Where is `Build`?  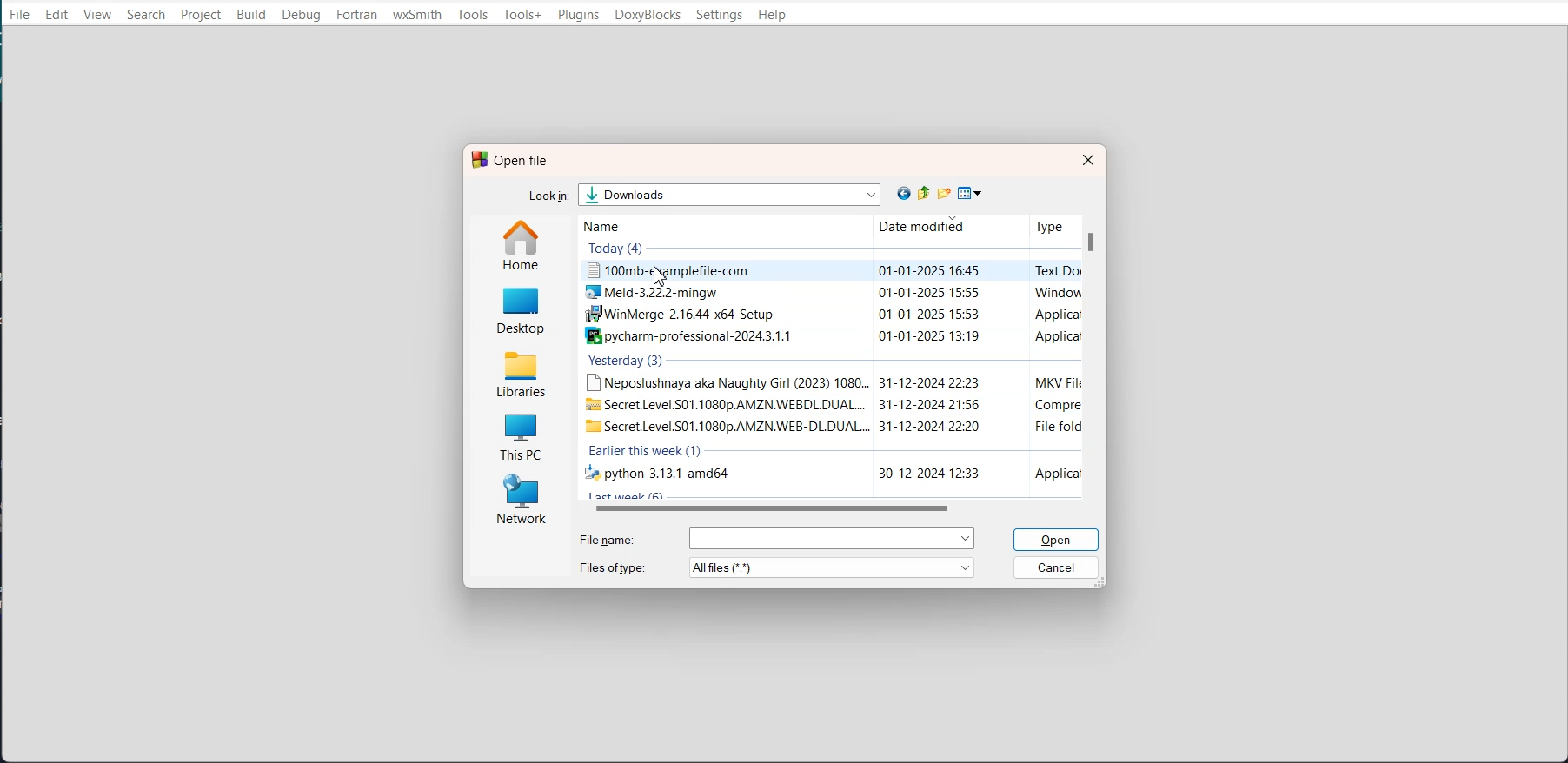
Build is located at coordinates (252, 15).